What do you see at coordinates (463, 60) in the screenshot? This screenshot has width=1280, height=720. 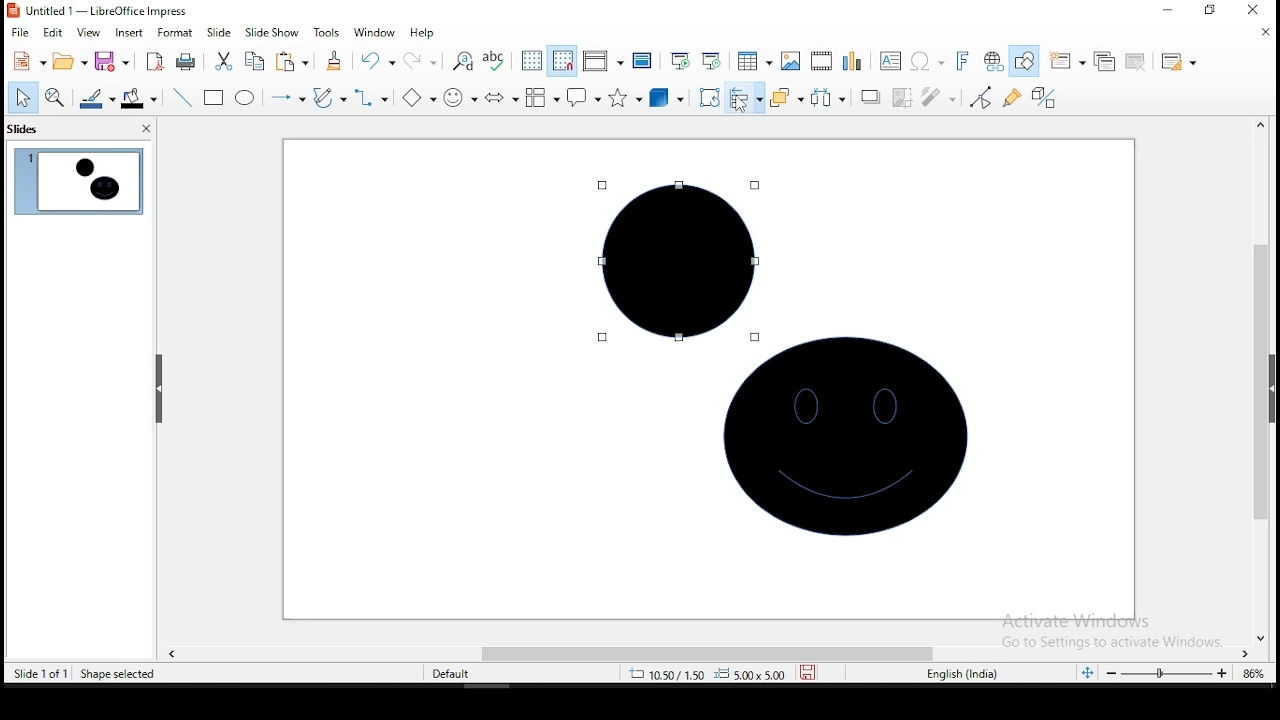 I see `find and replace` at bounding box center [463, 60].